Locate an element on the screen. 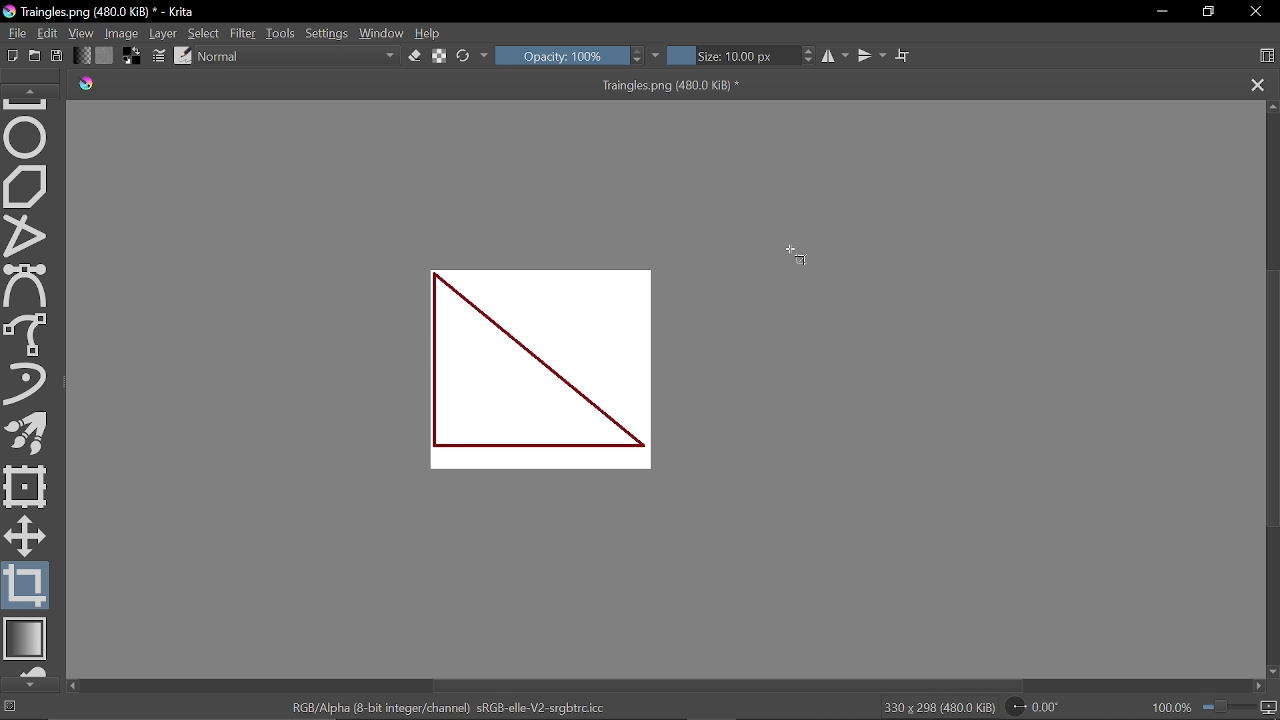 The height and width of the screenshot is (720, 1280). Traingles.png (960.0 KiB) - Krita is located at coordinates (99, 13).